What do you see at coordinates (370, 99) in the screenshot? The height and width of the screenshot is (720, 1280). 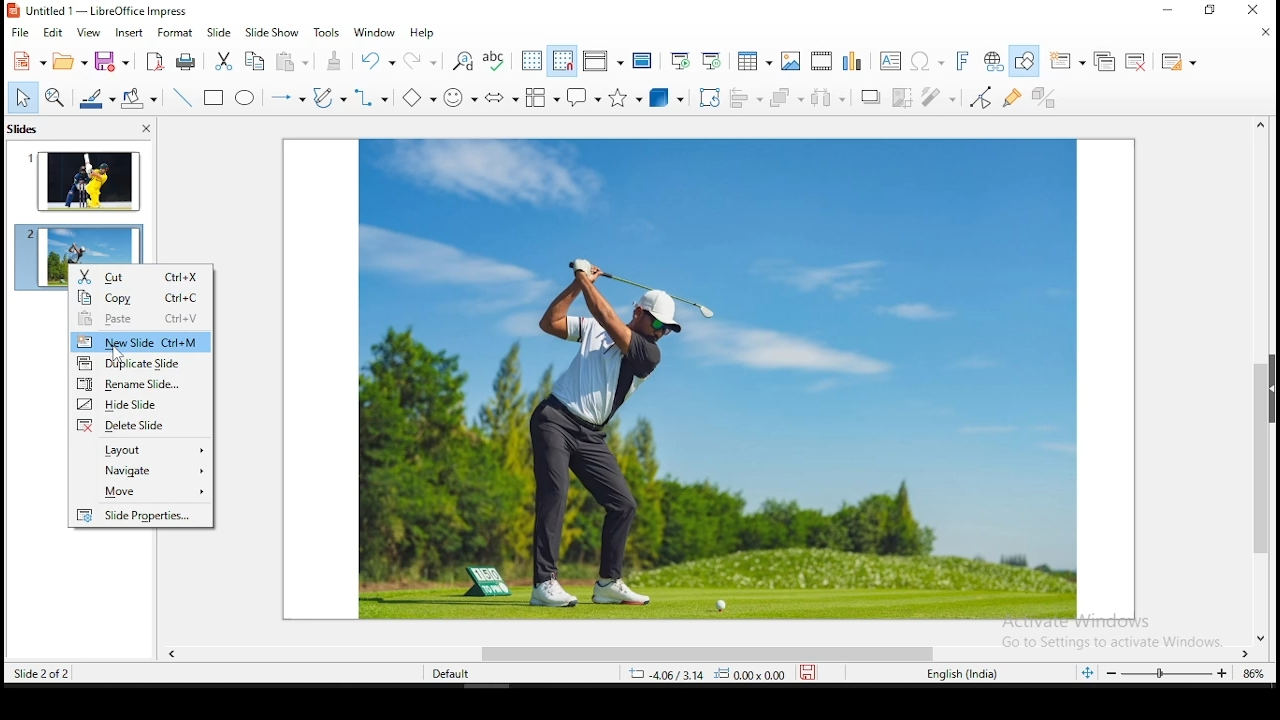 I see `connectors` at bounding box center [370, 99].